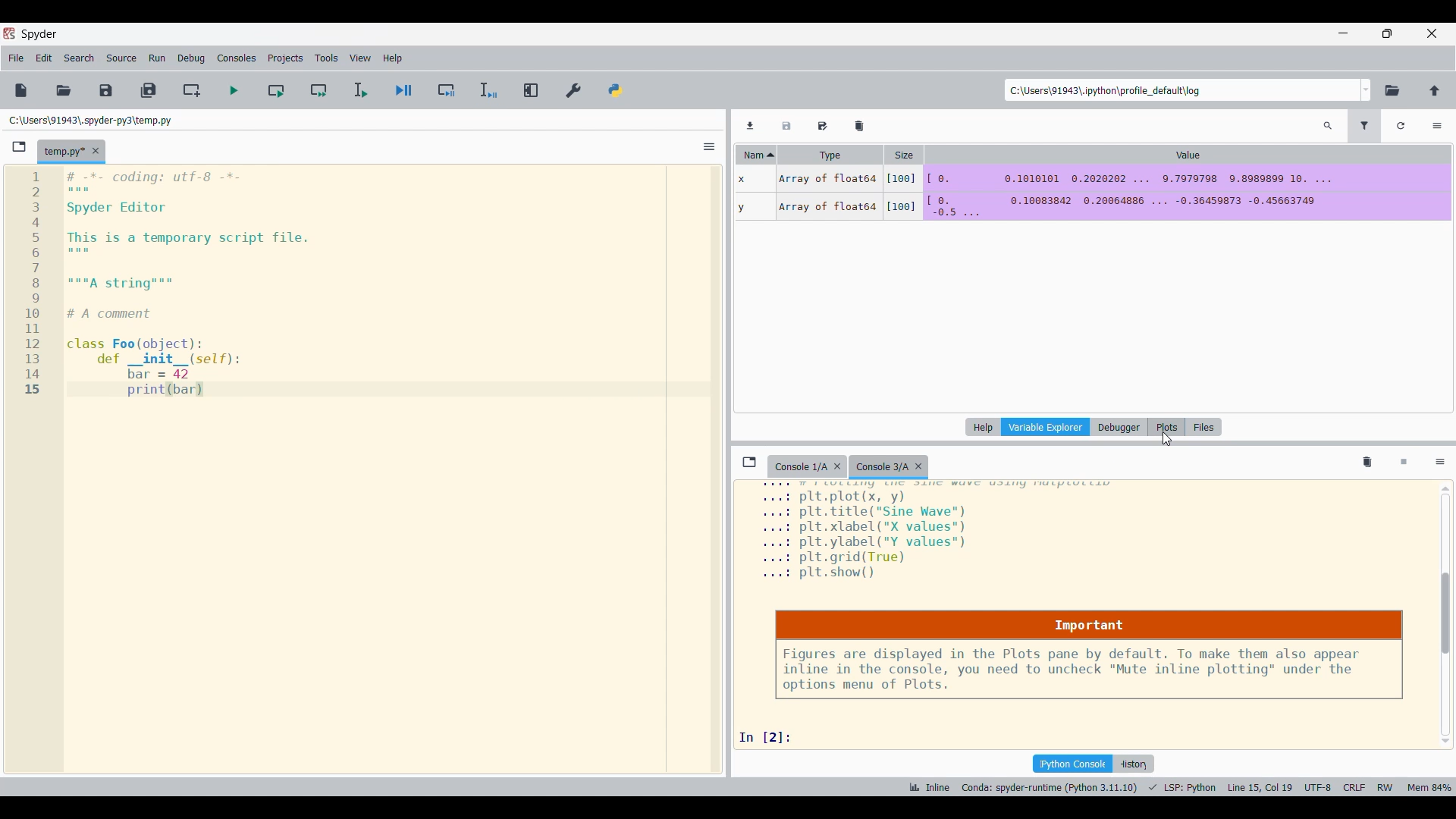  I want to click on Debug menu, so click(191, 57).